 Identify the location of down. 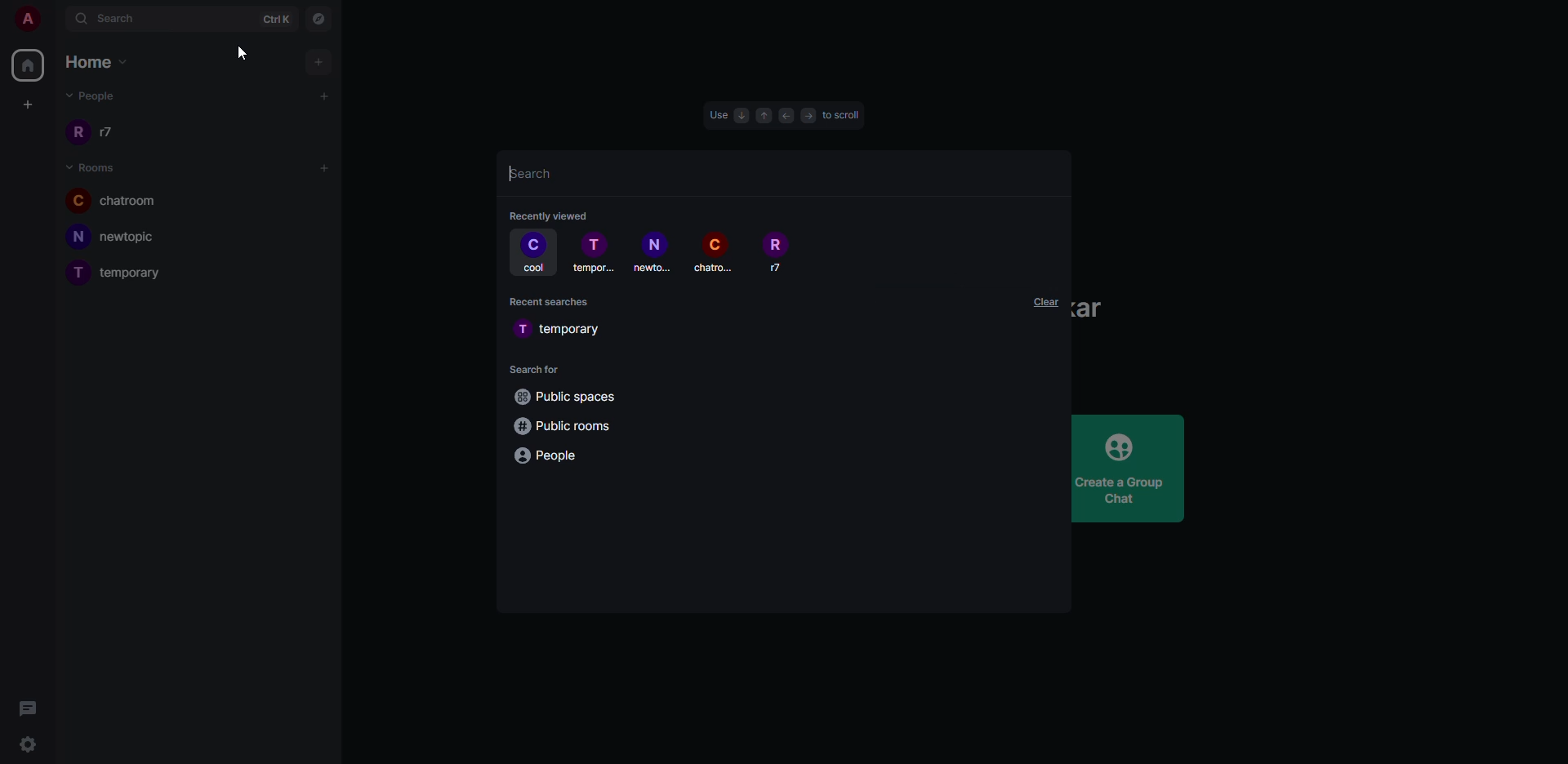
(739, 116).